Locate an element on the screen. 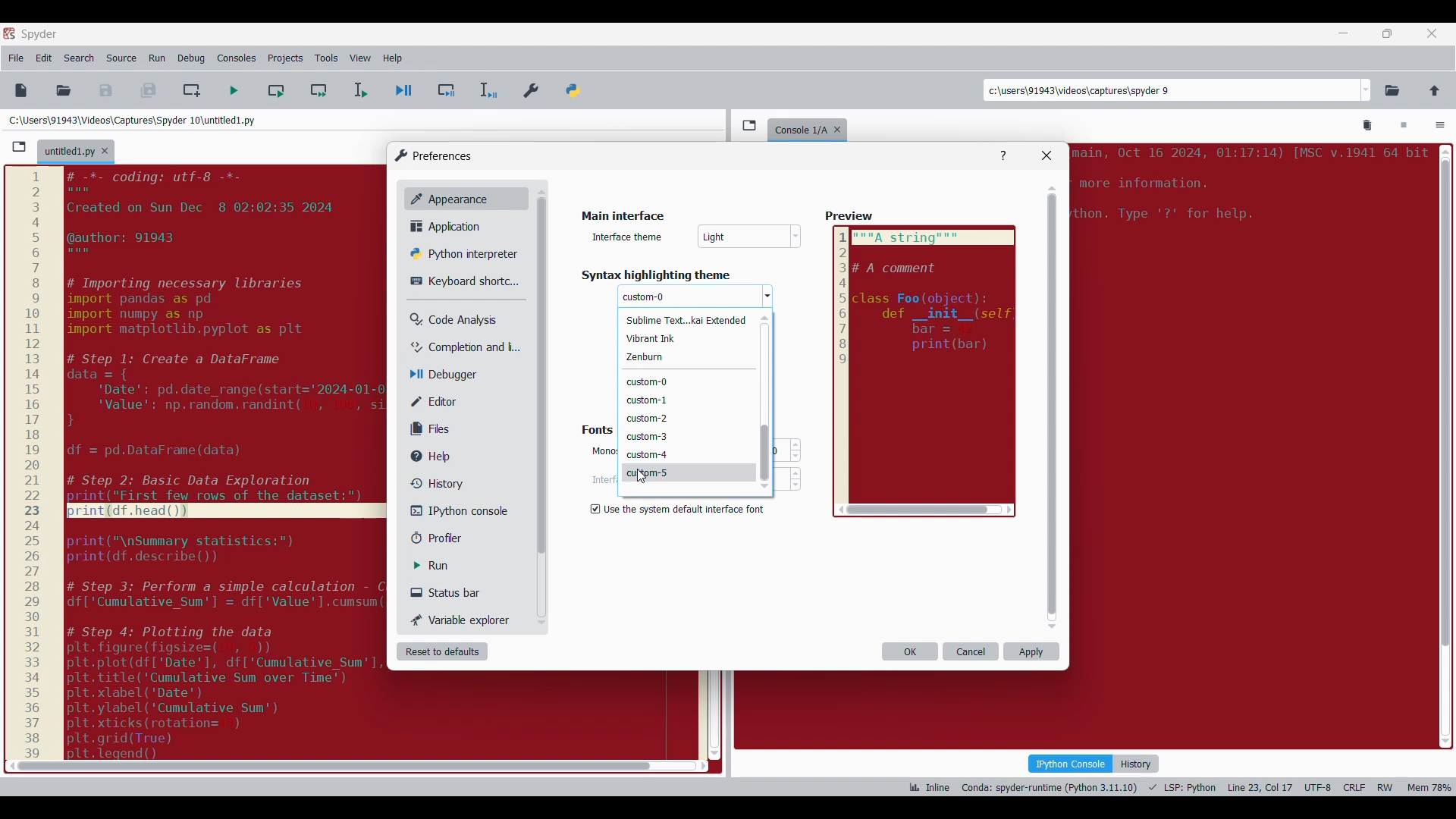  scroll bar is located at coordinates (1443, 442).